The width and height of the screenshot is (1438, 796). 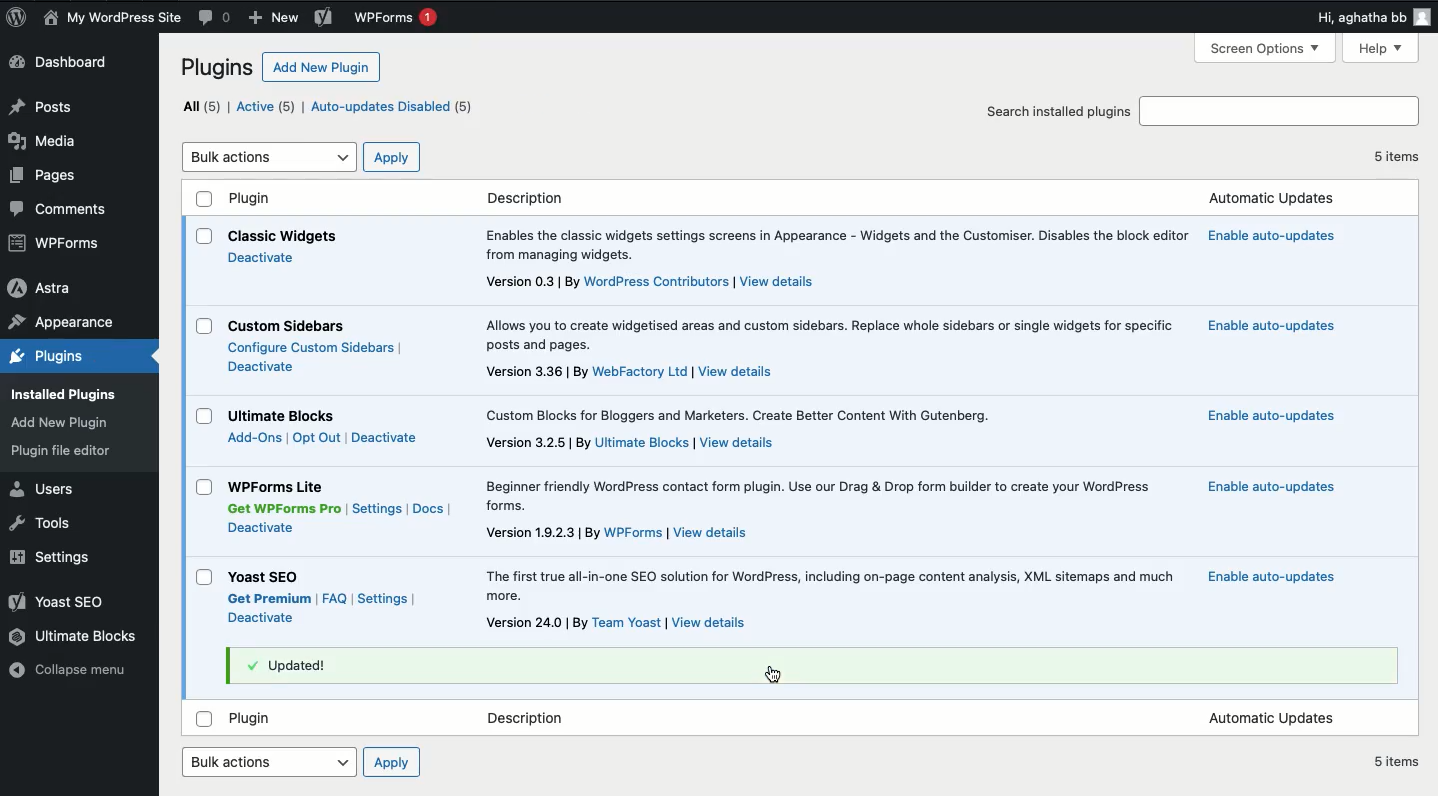 What do you see at coordinates (1397, 156) in the screenshot?
I see `5 items` at bounding box center [1397, 156].